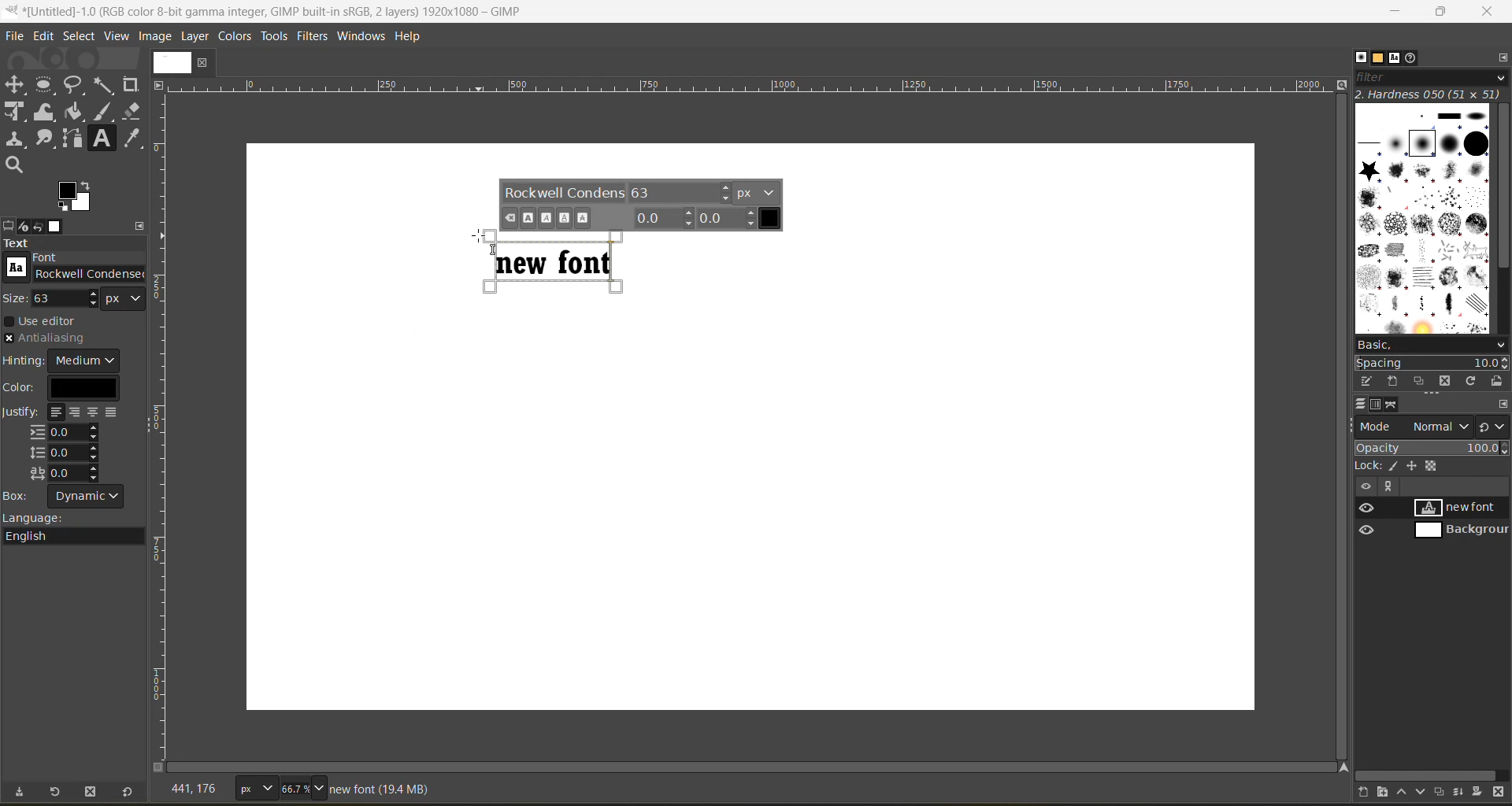 The width and height of the screenshot is (1512, 806). Describe the element at coordinates (80, 38) in the screenshot. I see `select` at that location.